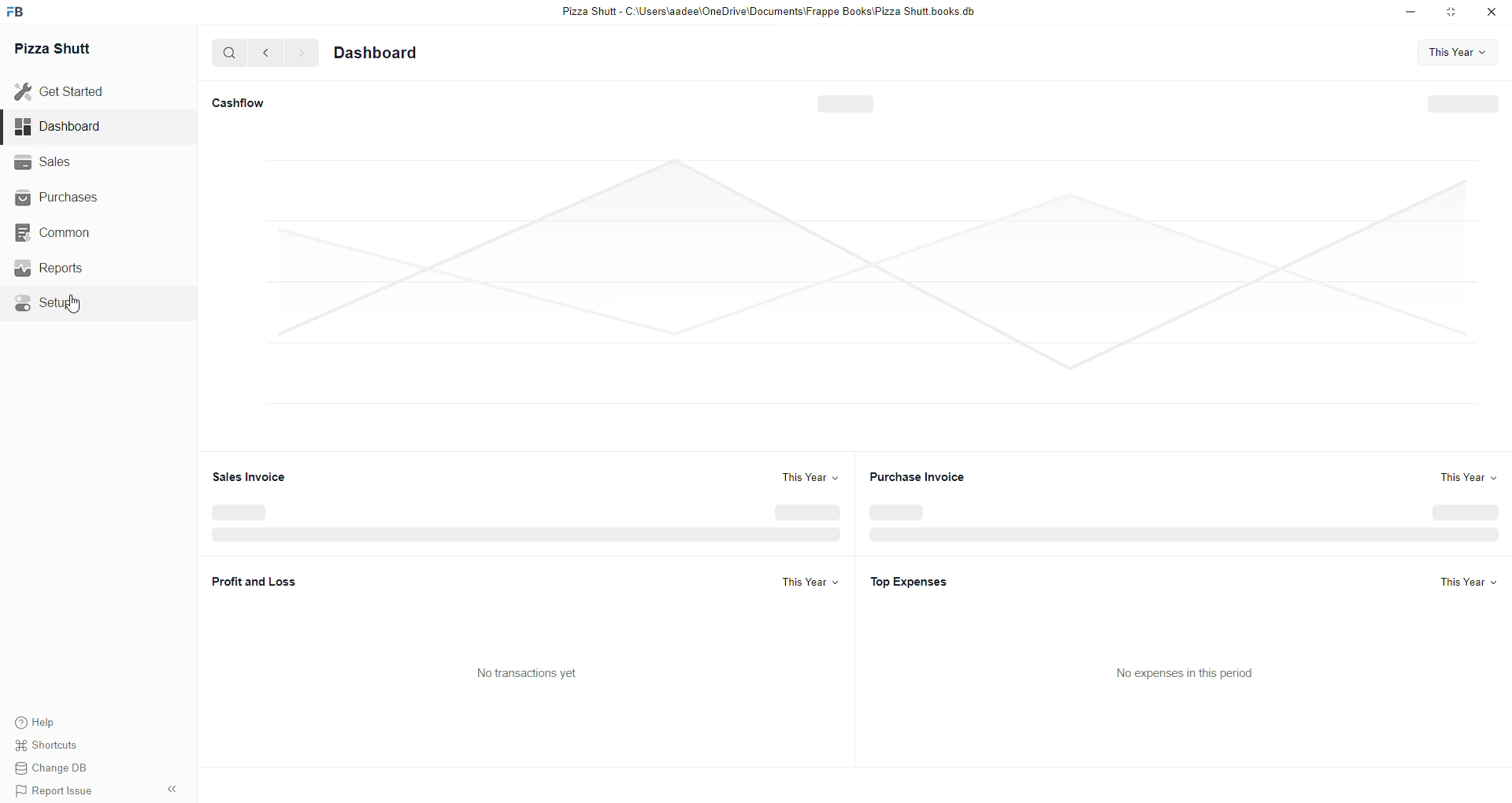  Describe the element at coordinates (1456, 14) in the screenshot. I see `resize` at that location.